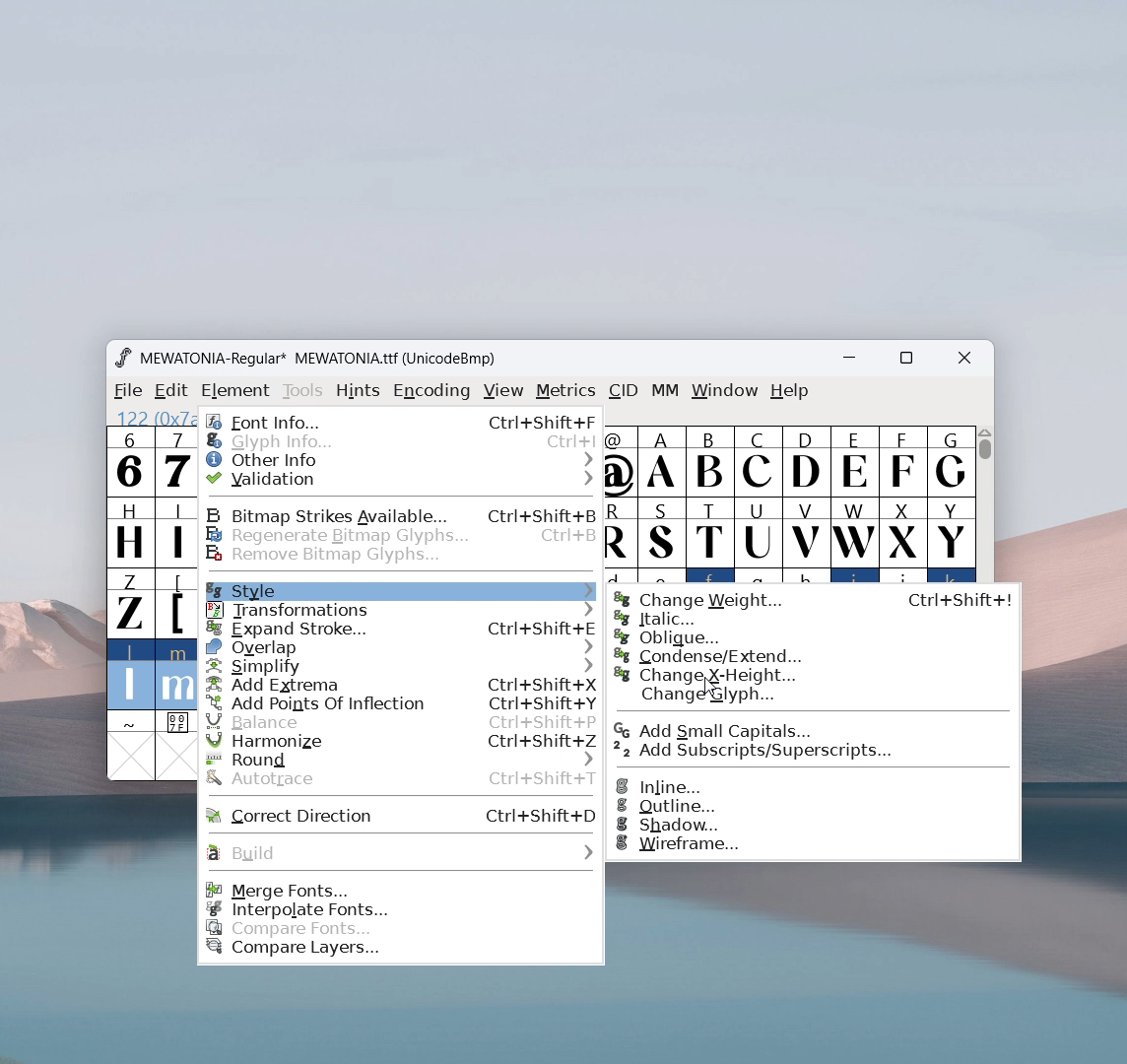 The image size is (1127, 1064). I want to click on wireframe, so click(815, 847).